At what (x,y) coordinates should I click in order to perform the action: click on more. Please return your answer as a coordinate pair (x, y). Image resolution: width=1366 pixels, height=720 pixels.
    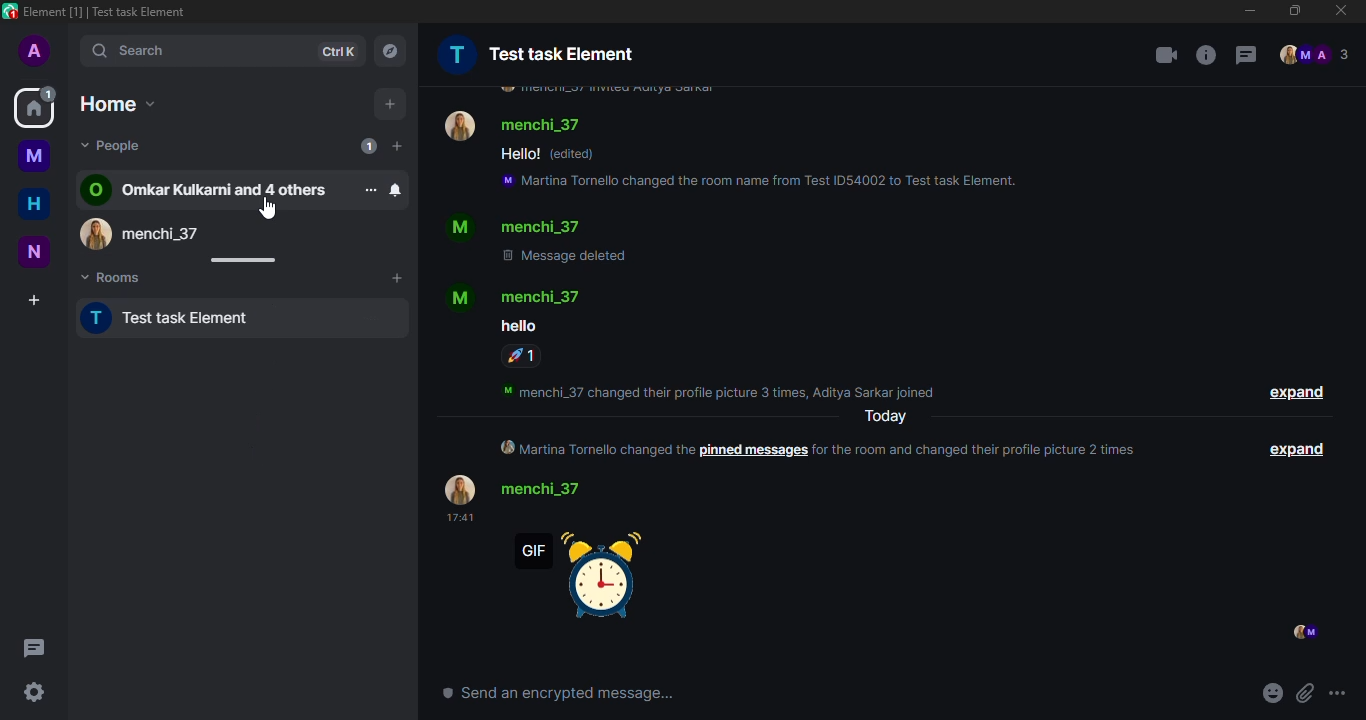
    Looking at the image, I should click on (370, 189).